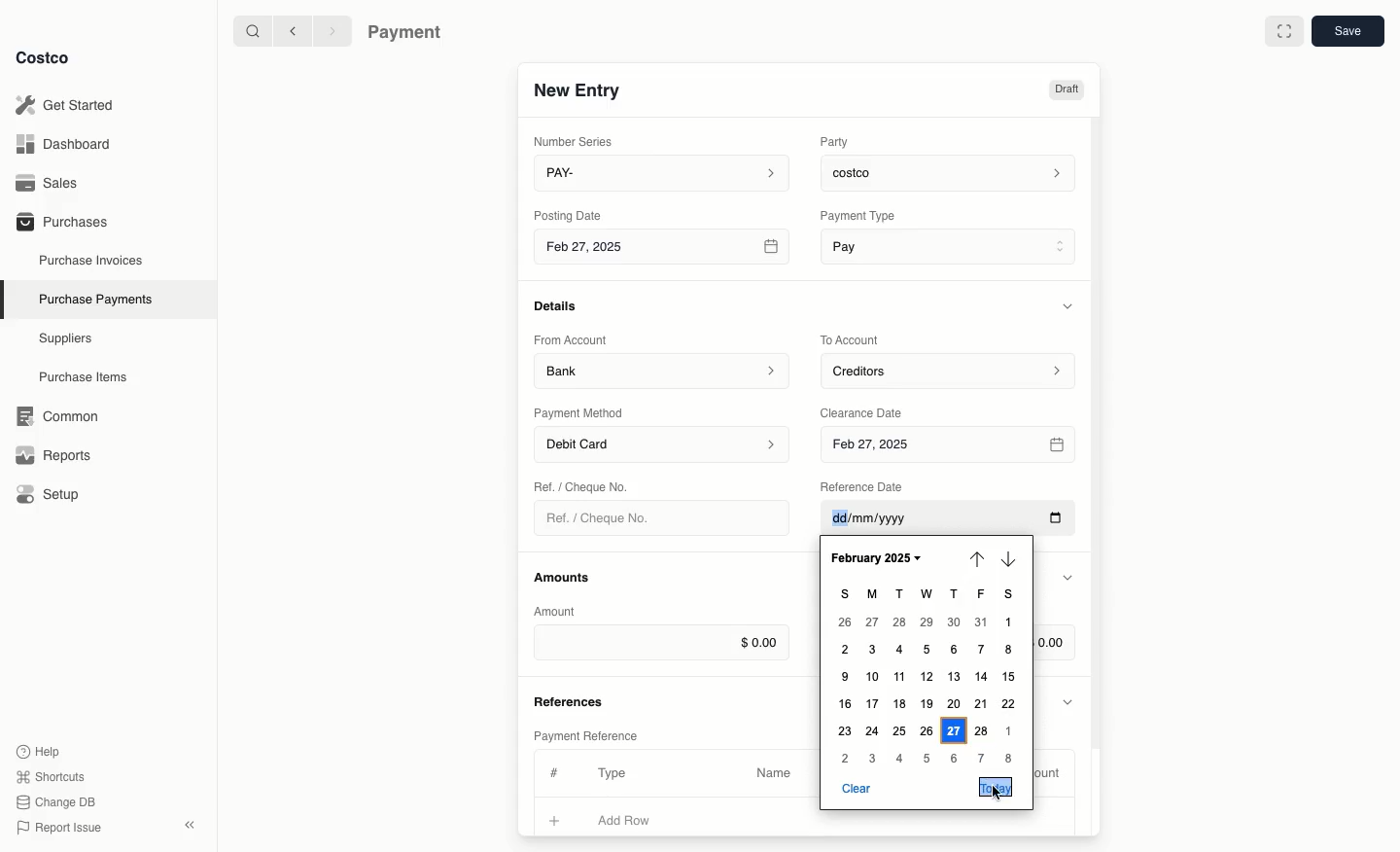  I want to click on Payment, so click(409, 34).